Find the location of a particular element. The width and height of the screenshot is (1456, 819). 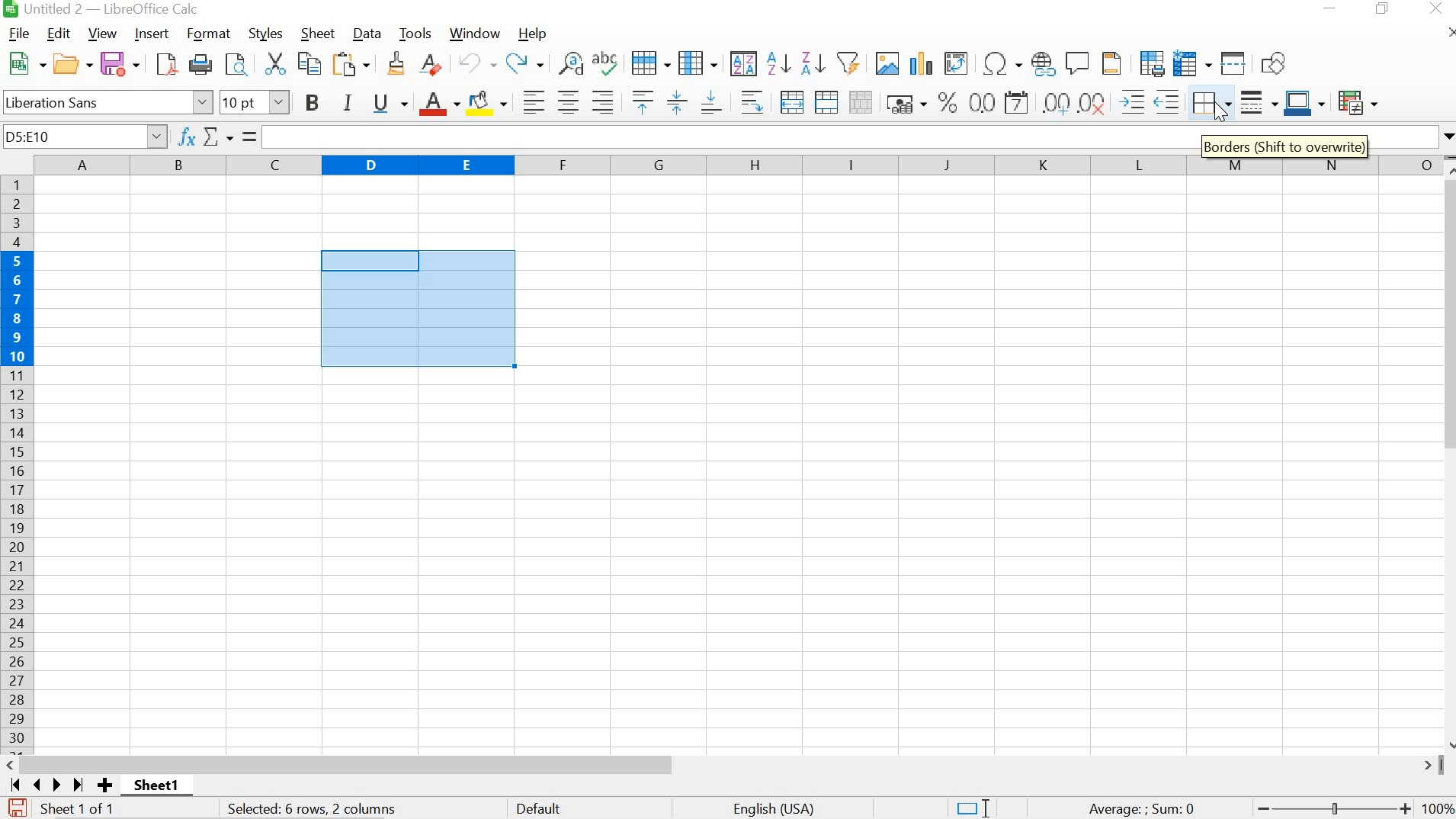

INPUT LINE is located at coordinates (725, 136).